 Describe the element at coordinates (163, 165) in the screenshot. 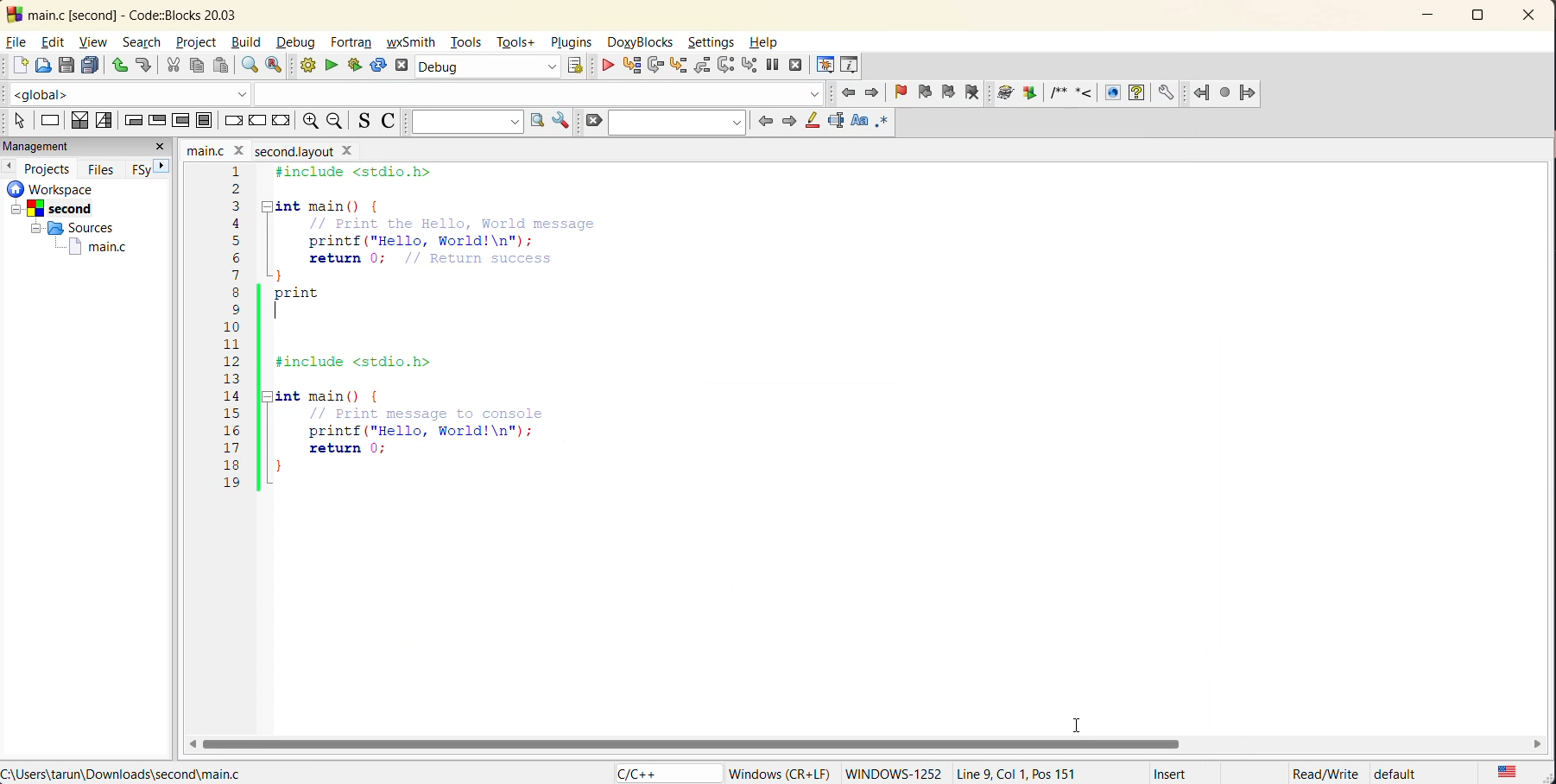

I see `next` at that location.